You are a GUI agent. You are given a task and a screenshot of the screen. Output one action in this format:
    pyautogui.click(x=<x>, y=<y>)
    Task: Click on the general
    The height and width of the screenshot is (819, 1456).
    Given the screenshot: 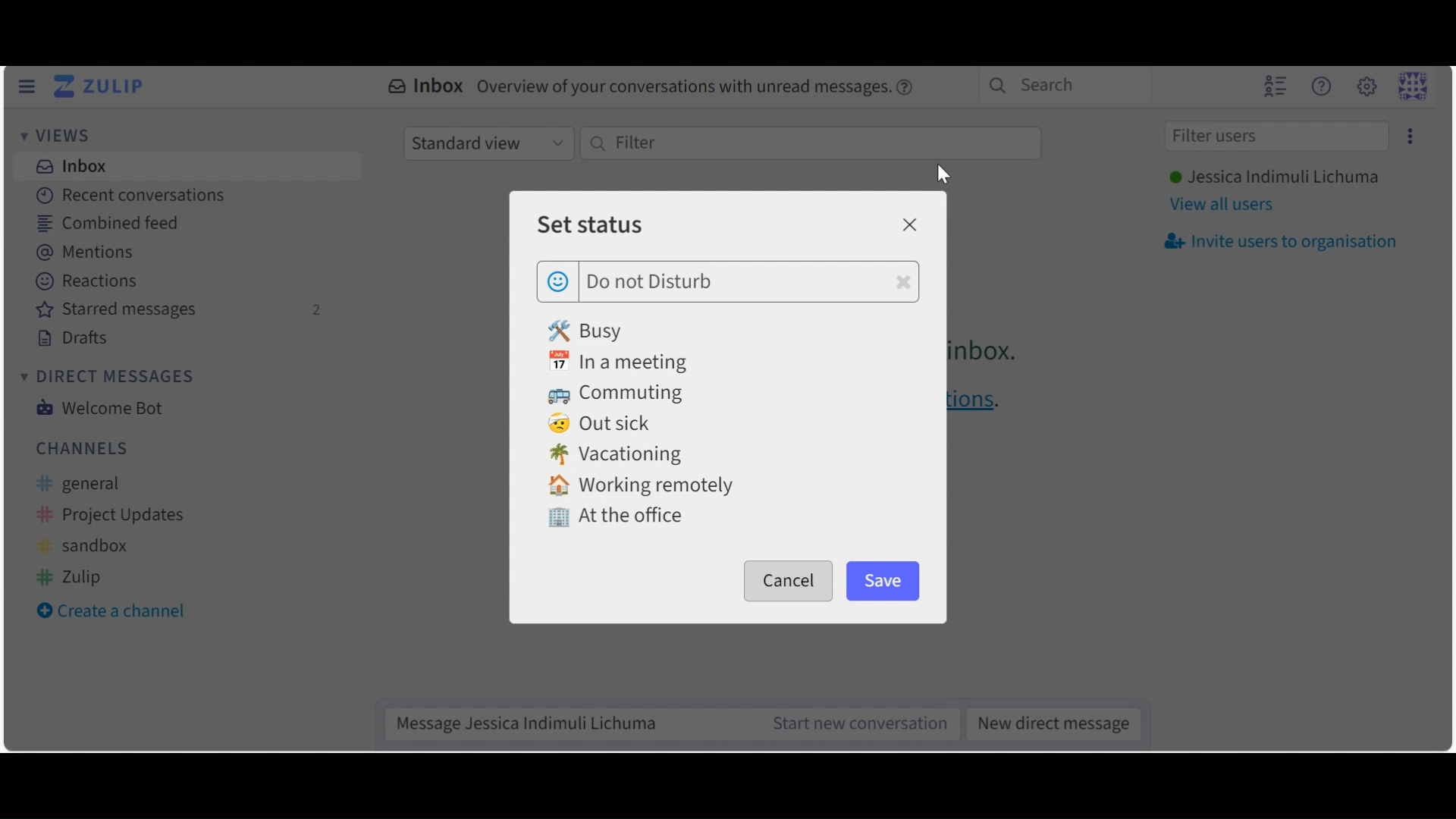 What is the action you would take?
    pyautogui.click(x=89, y=485)
    